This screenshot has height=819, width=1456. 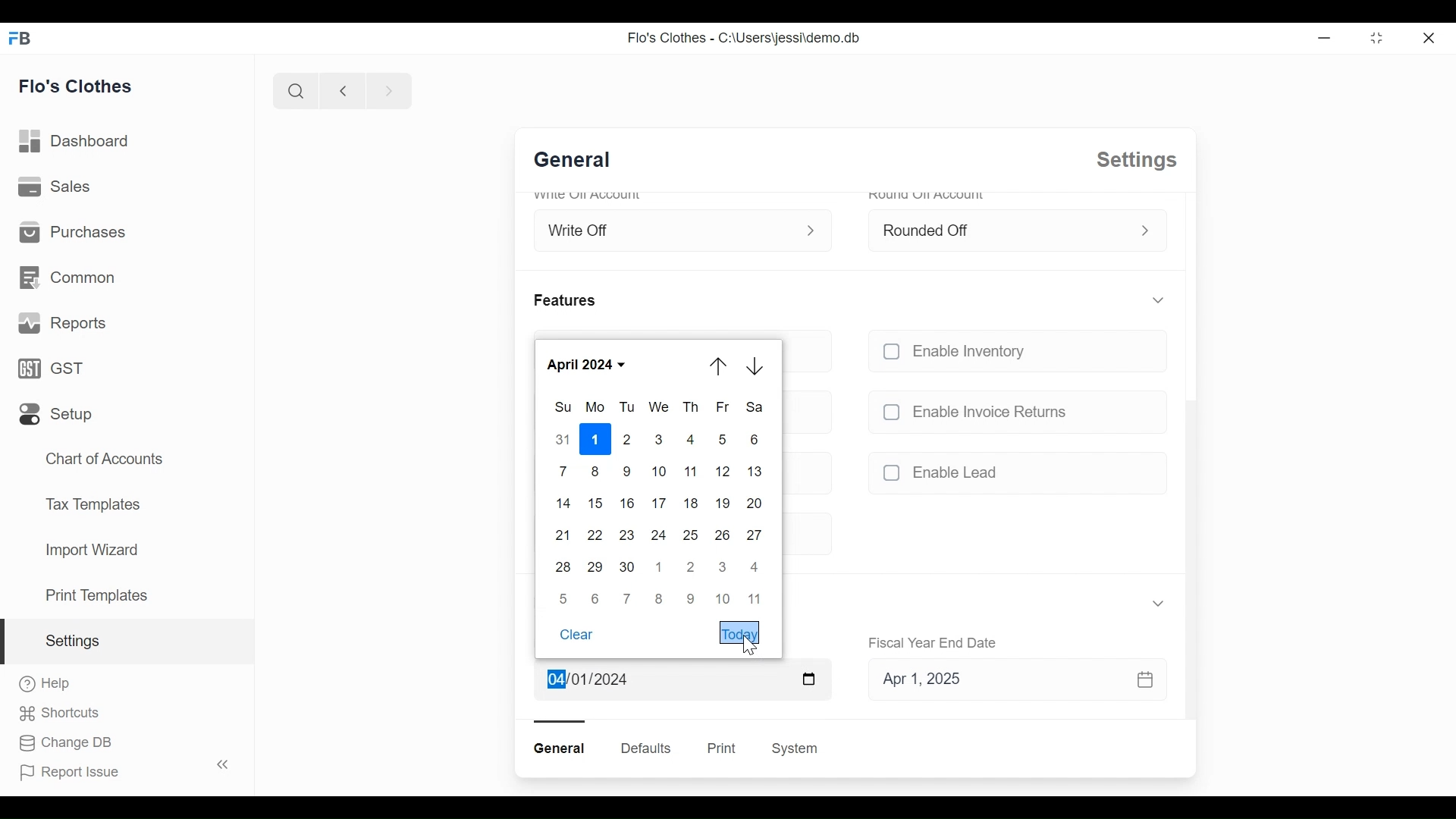 What do you see at coordinates (1012, 354) in the screenshot?
I see `unchecked Enable Inventory` at bounding box center [1012, 354].